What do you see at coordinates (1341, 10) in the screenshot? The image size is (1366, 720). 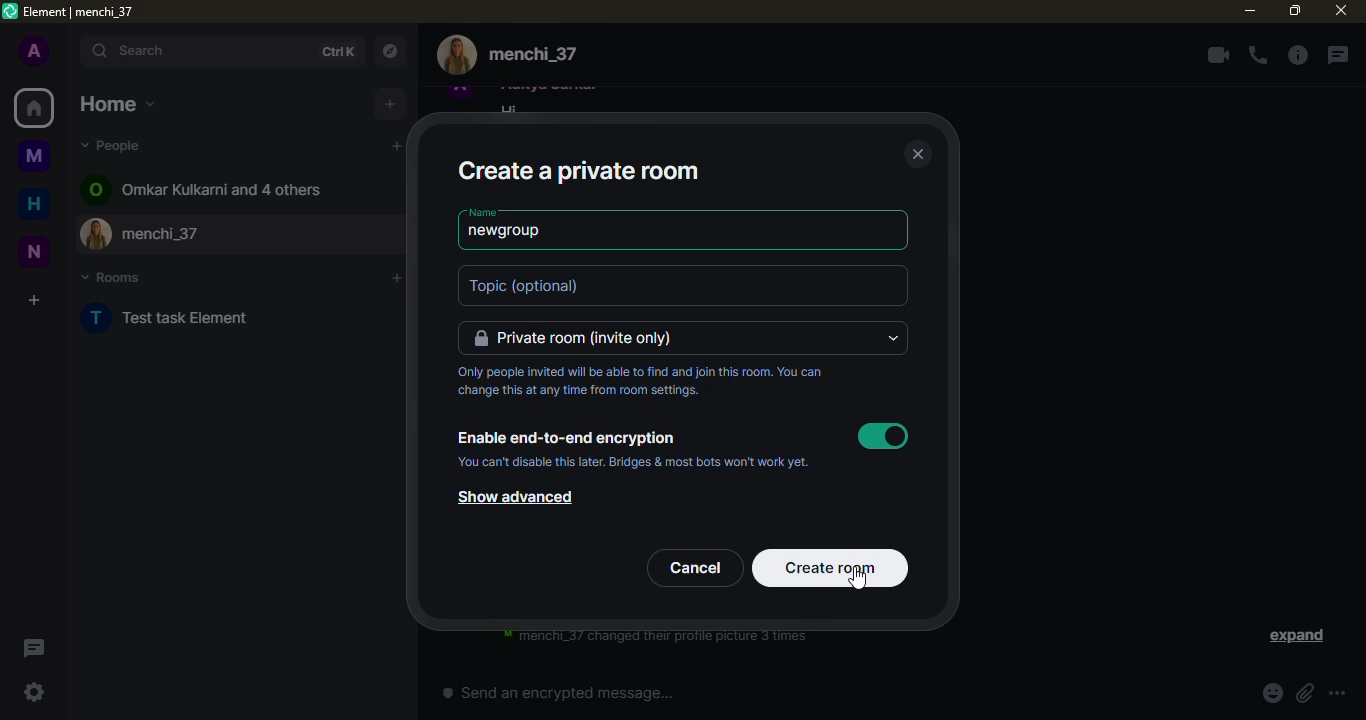 I see `close` at bounding box center [1341, 10].